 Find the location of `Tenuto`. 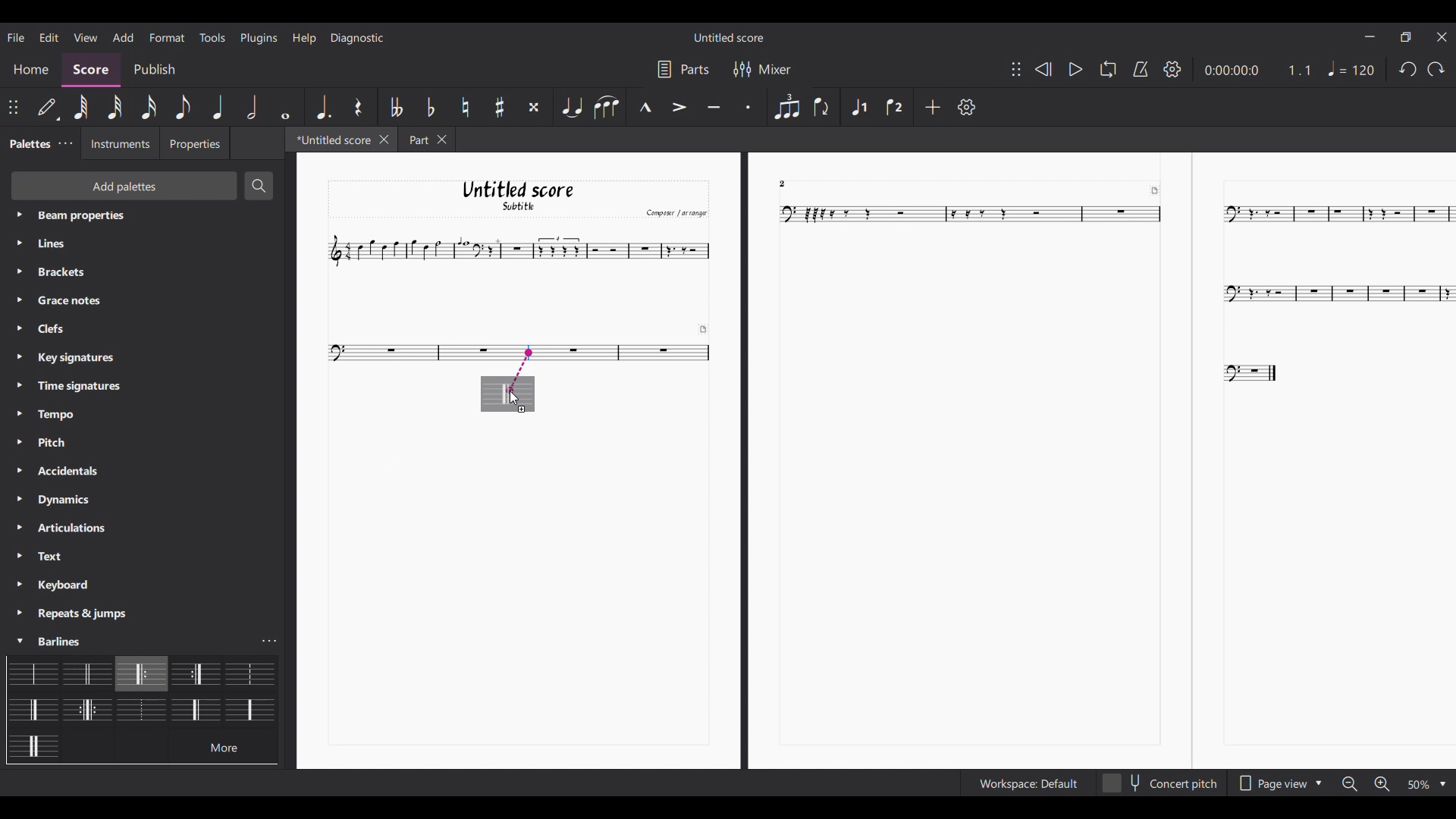

Tenuto is located at coordinates (714, 108).